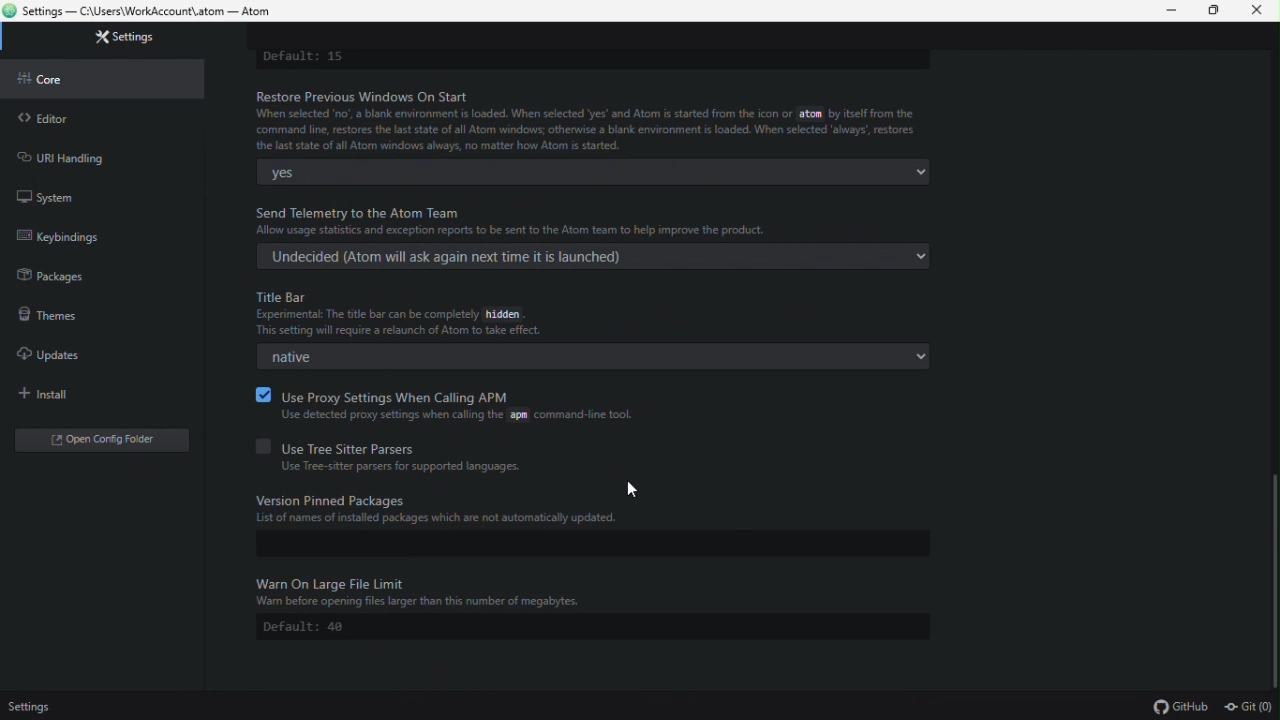 Image resolution: width=1280 pixels, height=720 pixels. What do you see at coordinates (588, 544) in the screenshot?
I see `textbox` at bounding box center [588, 544].